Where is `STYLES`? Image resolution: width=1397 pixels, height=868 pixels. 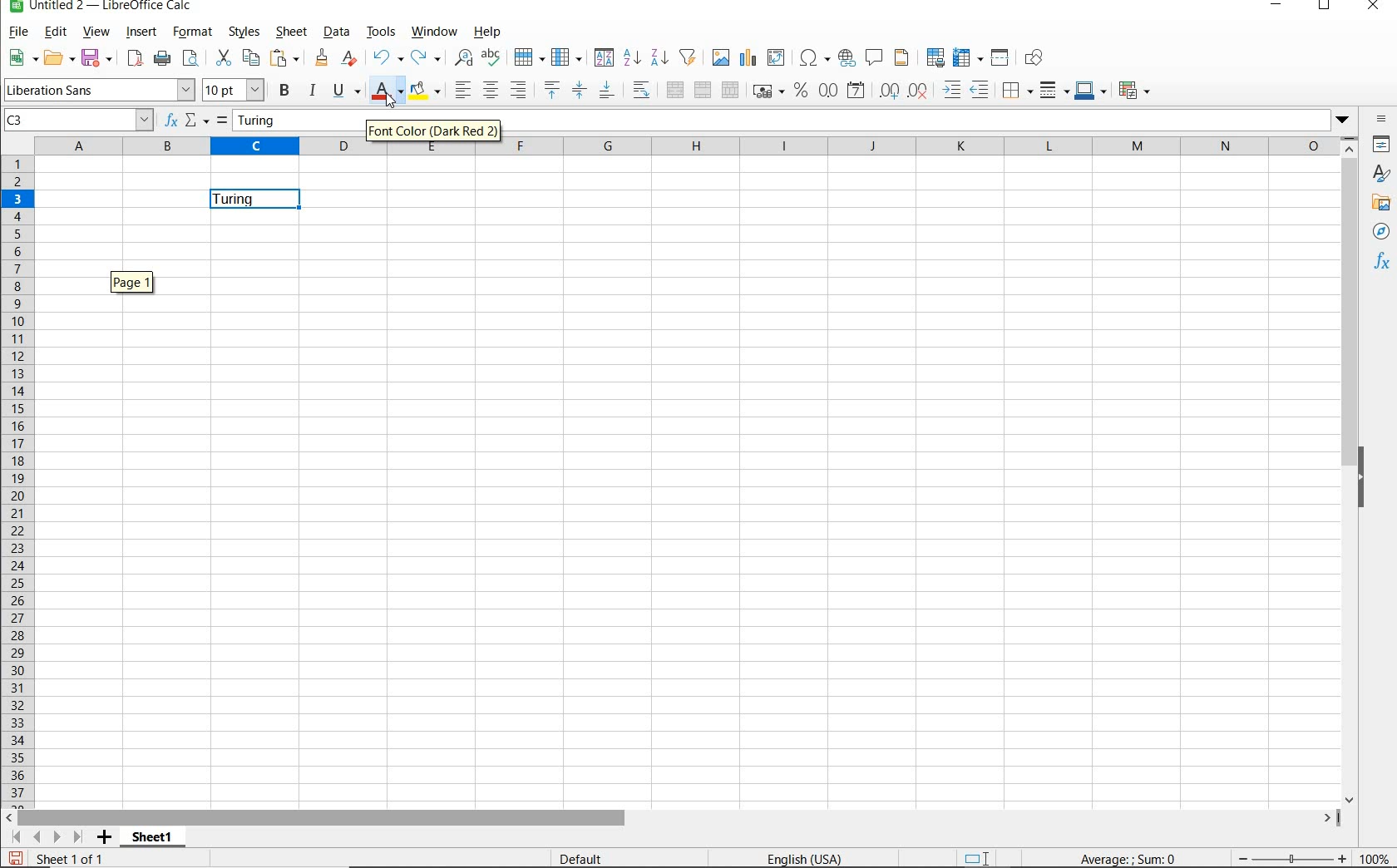 STYLES is located at coordinates (243, 34).